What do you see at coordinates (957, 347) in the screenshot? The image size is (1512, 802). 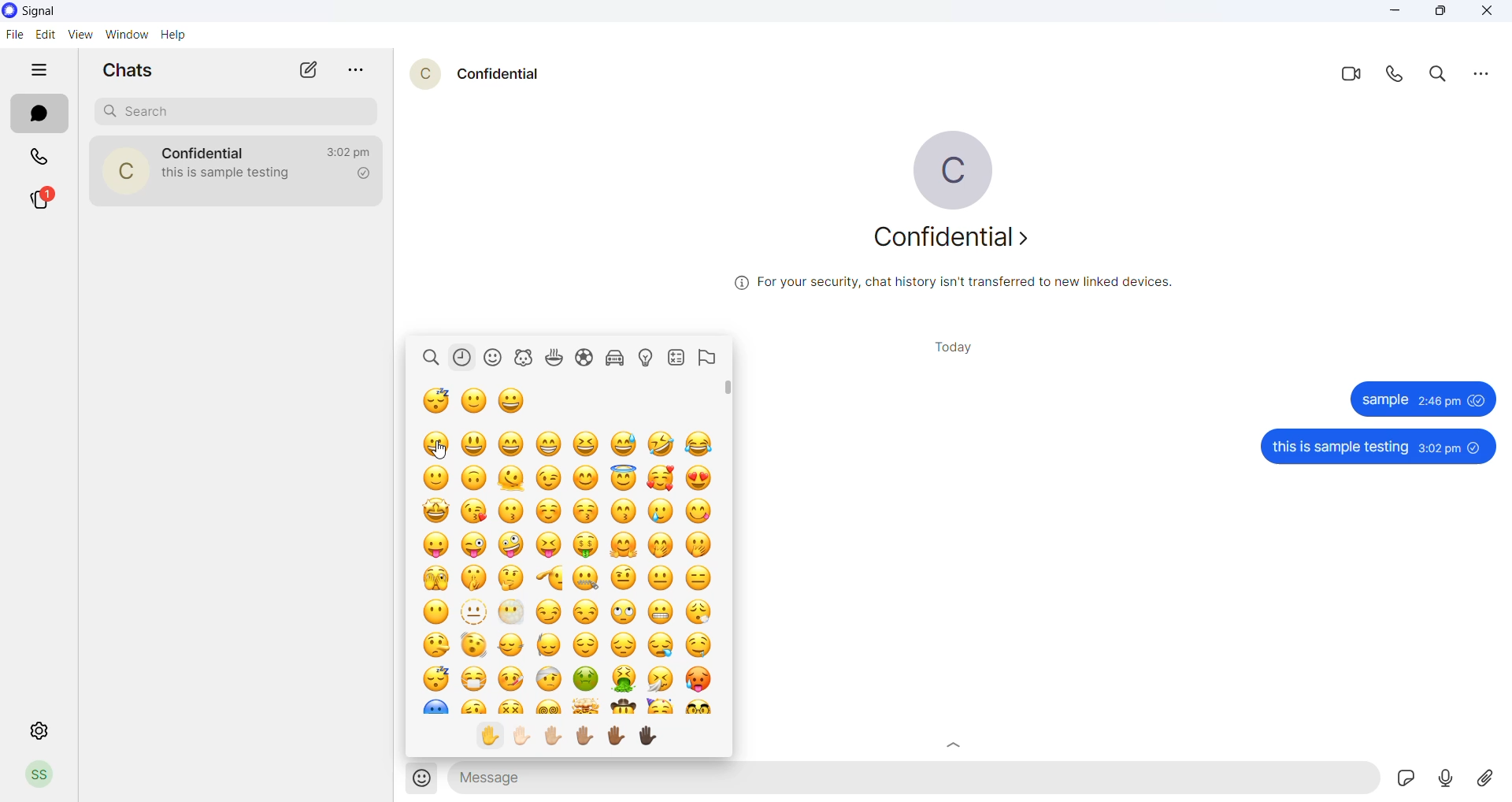 I see `today title` at bounding box center [957, 347].